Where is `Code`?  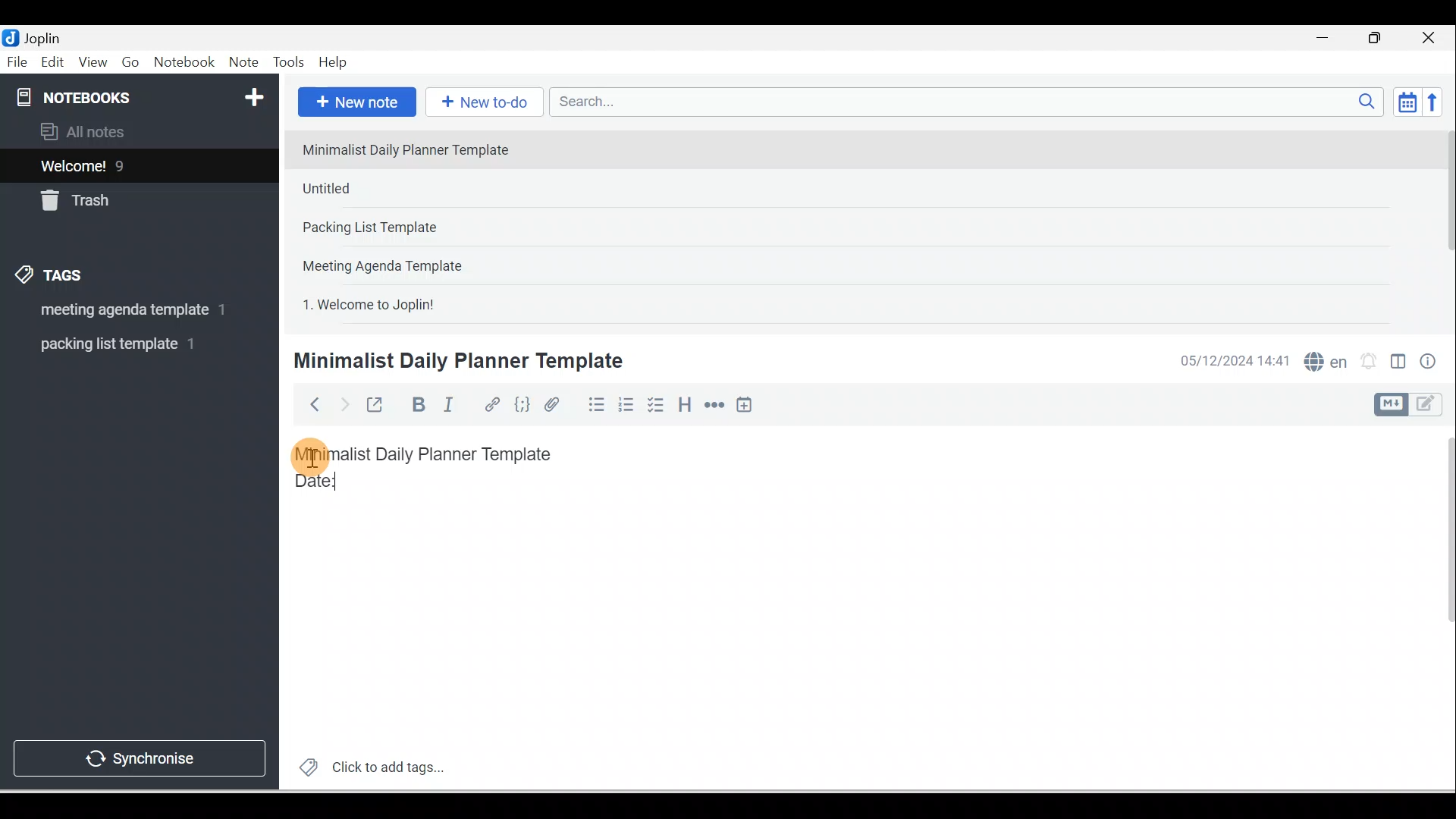
Code is located at coordinates (522, 406).